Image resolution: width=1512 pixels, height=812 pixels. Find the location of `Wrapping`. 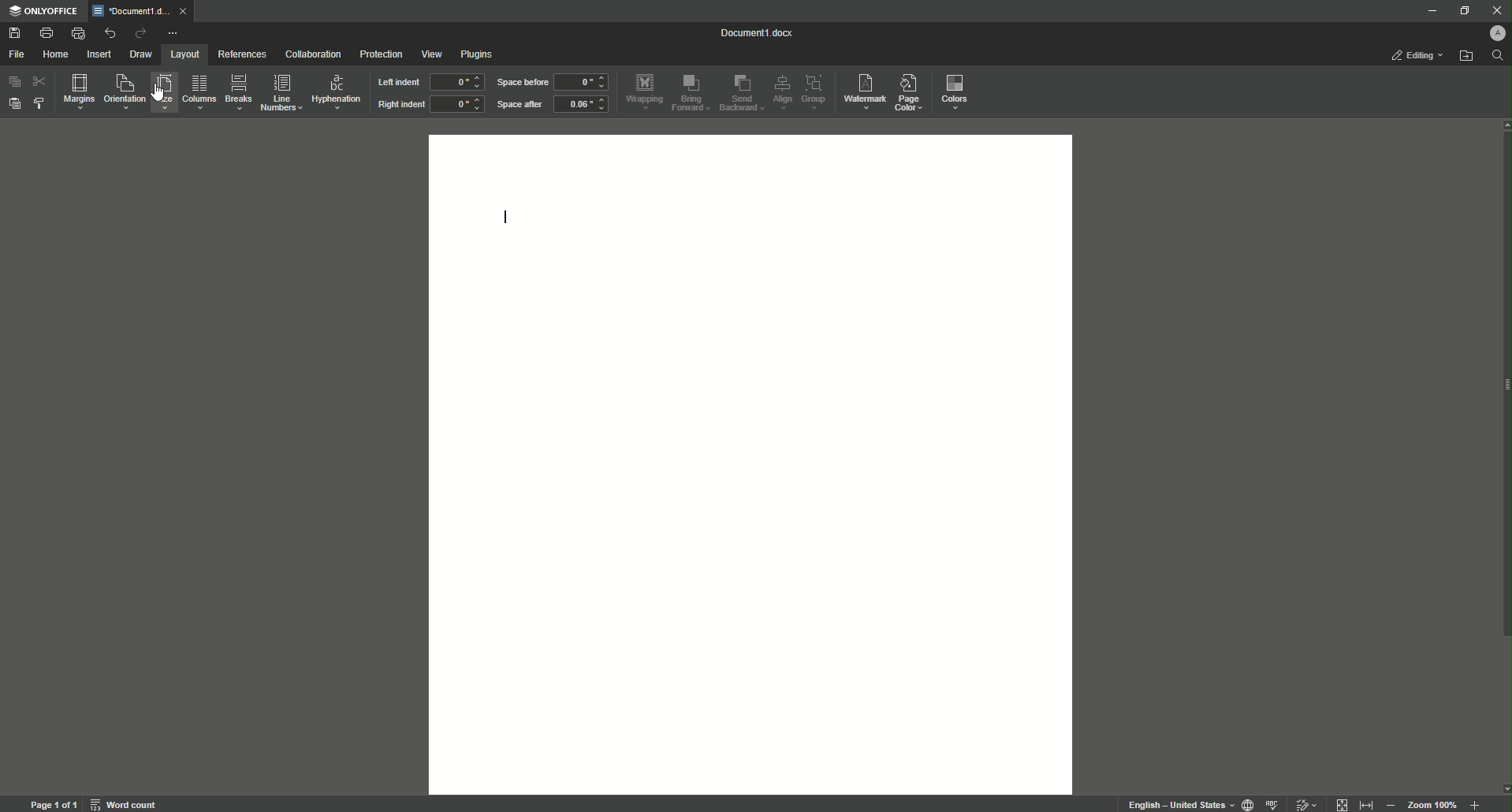

Wrapping is located at coordinates (644, 90).